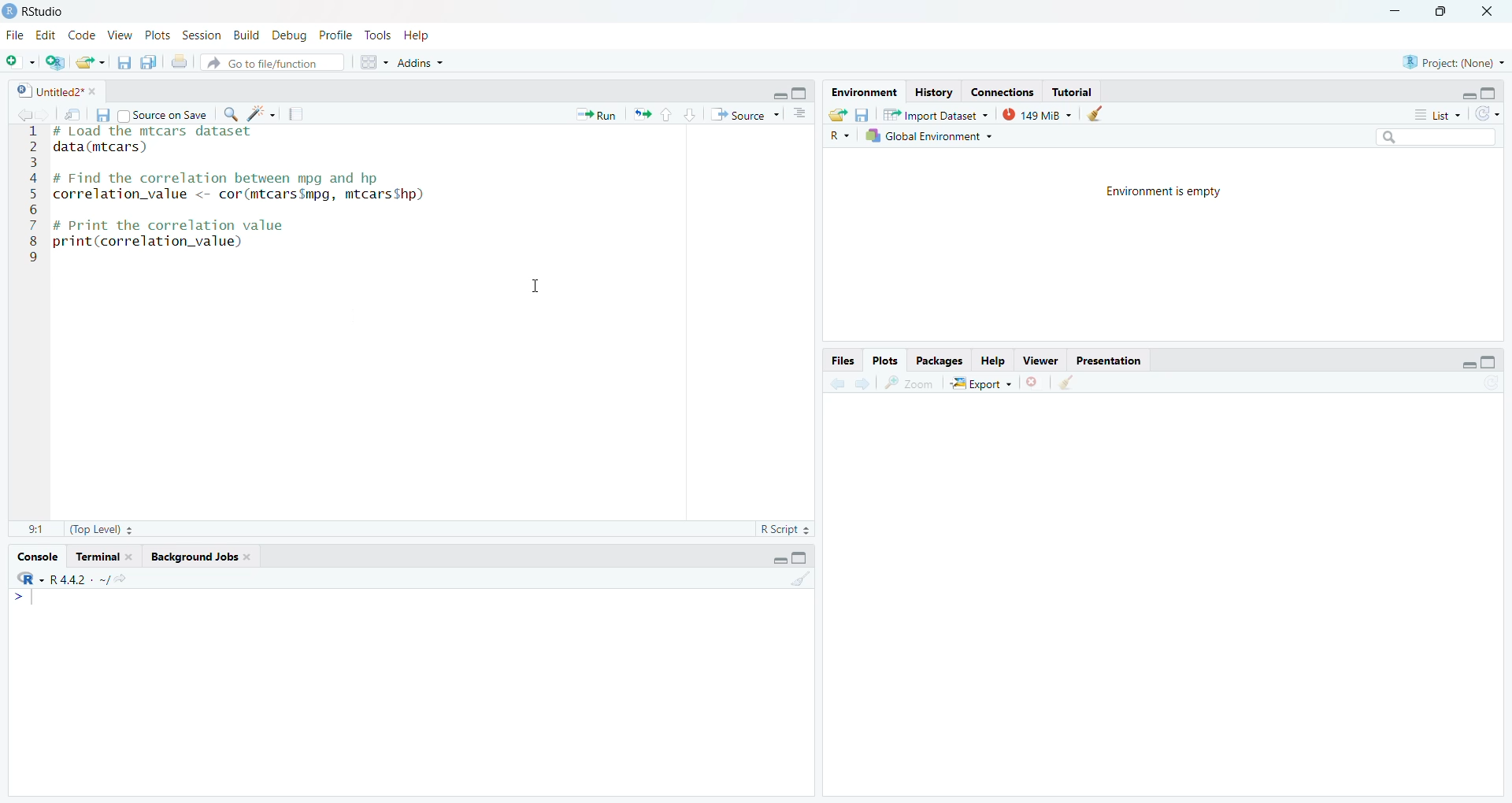  What do you see at coordinates (643, 112) in the screenshot?
I see `Re-run the previous code region (Ctrl + Alt + P)` at bounding box center [643, 112].